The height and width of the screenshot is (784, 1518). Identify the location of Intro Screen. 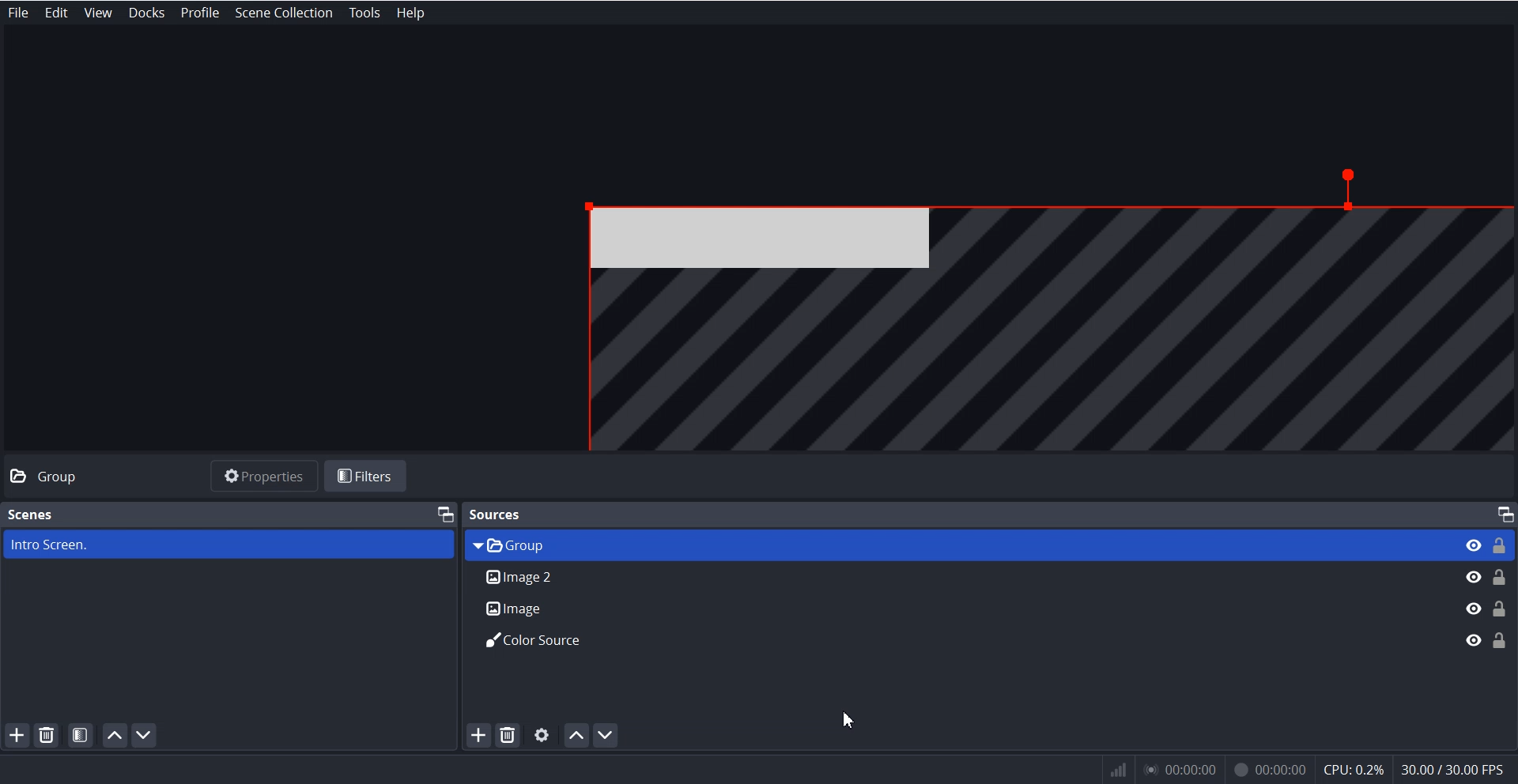
(226, 545).